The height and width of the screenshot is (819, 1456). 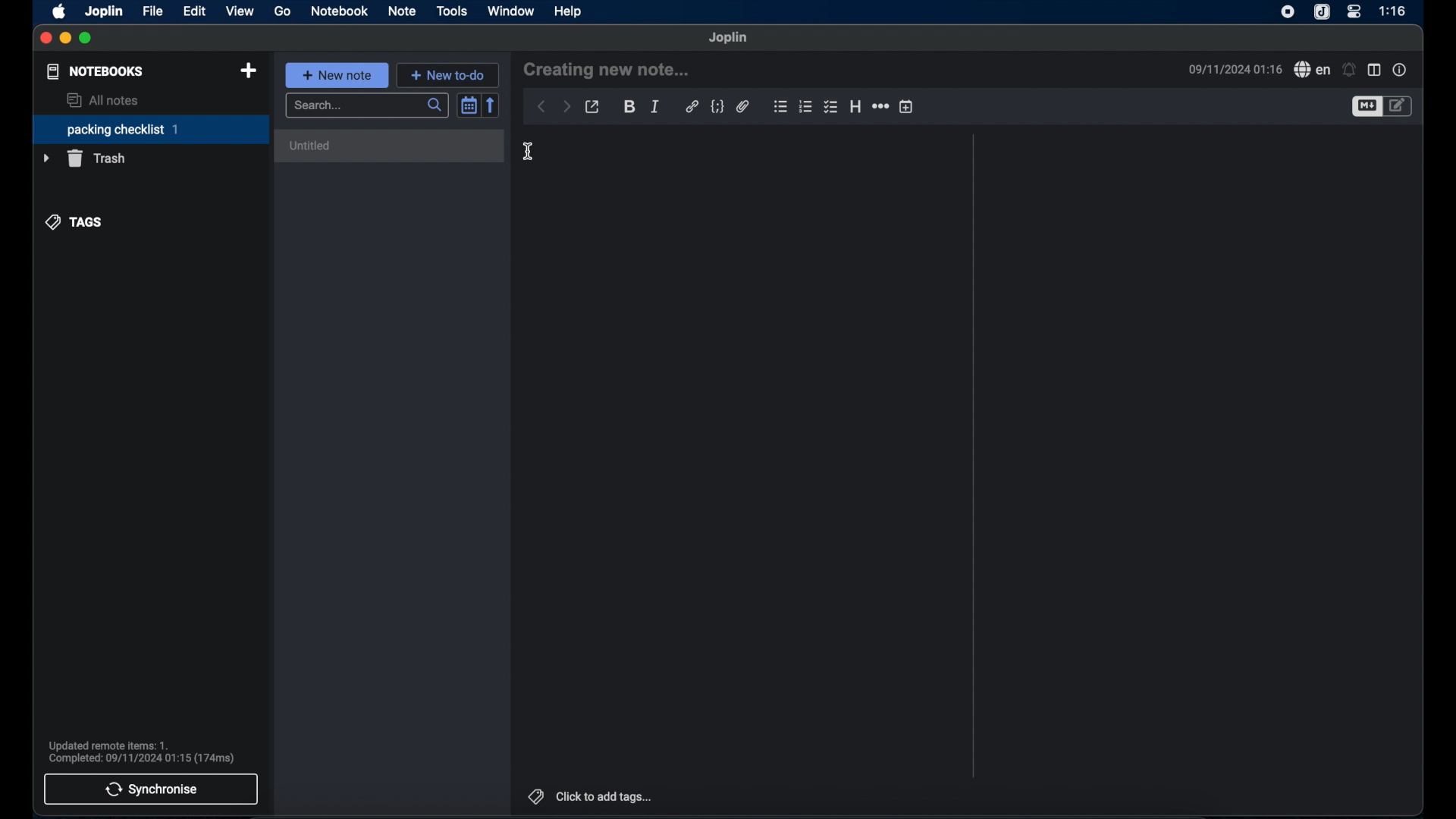 What do you see at coordinates (105, 12) in the screenshot?
I see `joplin` at bounding box center [105, 12].